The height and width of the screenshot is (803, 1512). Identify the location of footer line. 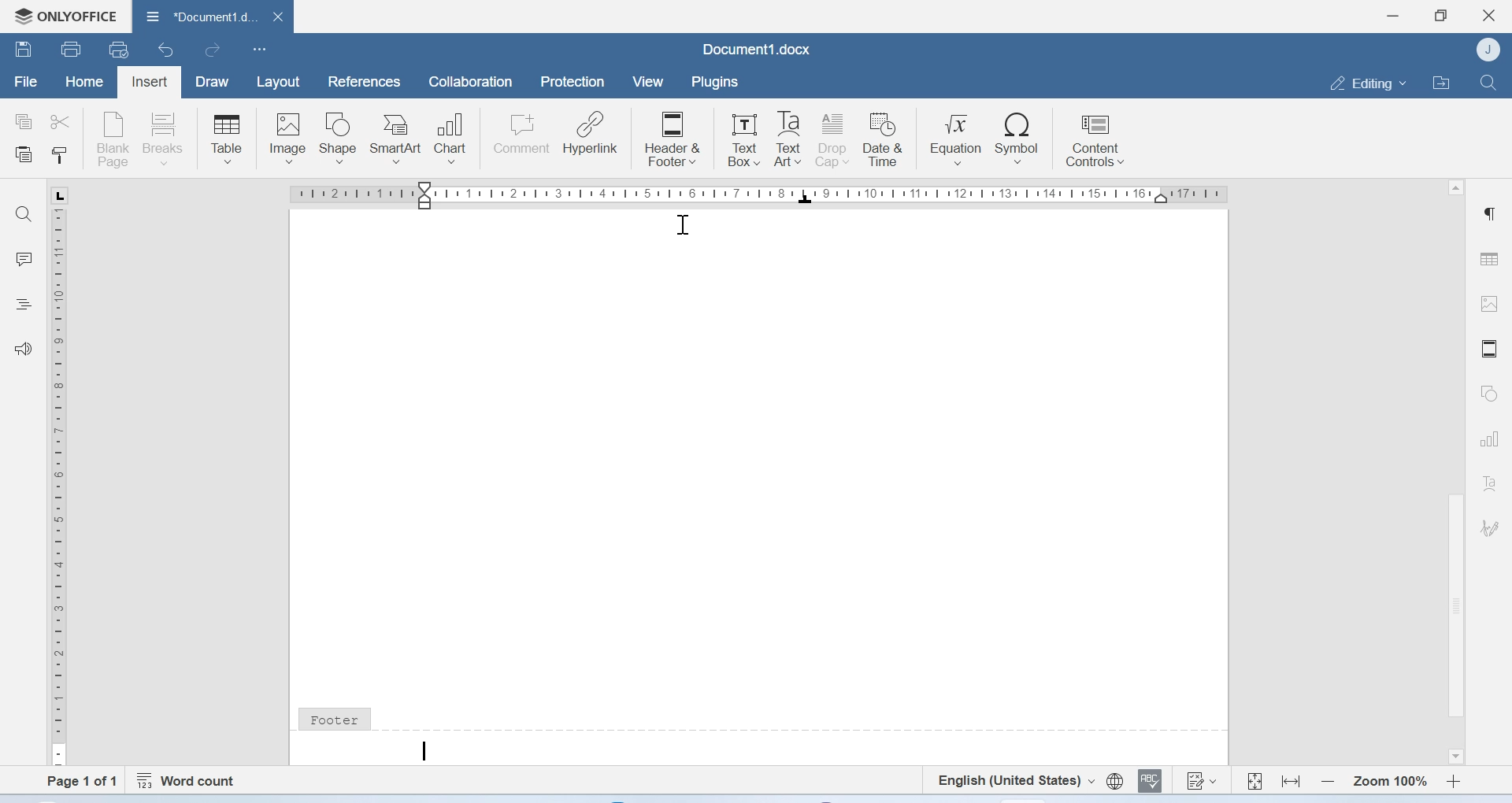
(812, 726).